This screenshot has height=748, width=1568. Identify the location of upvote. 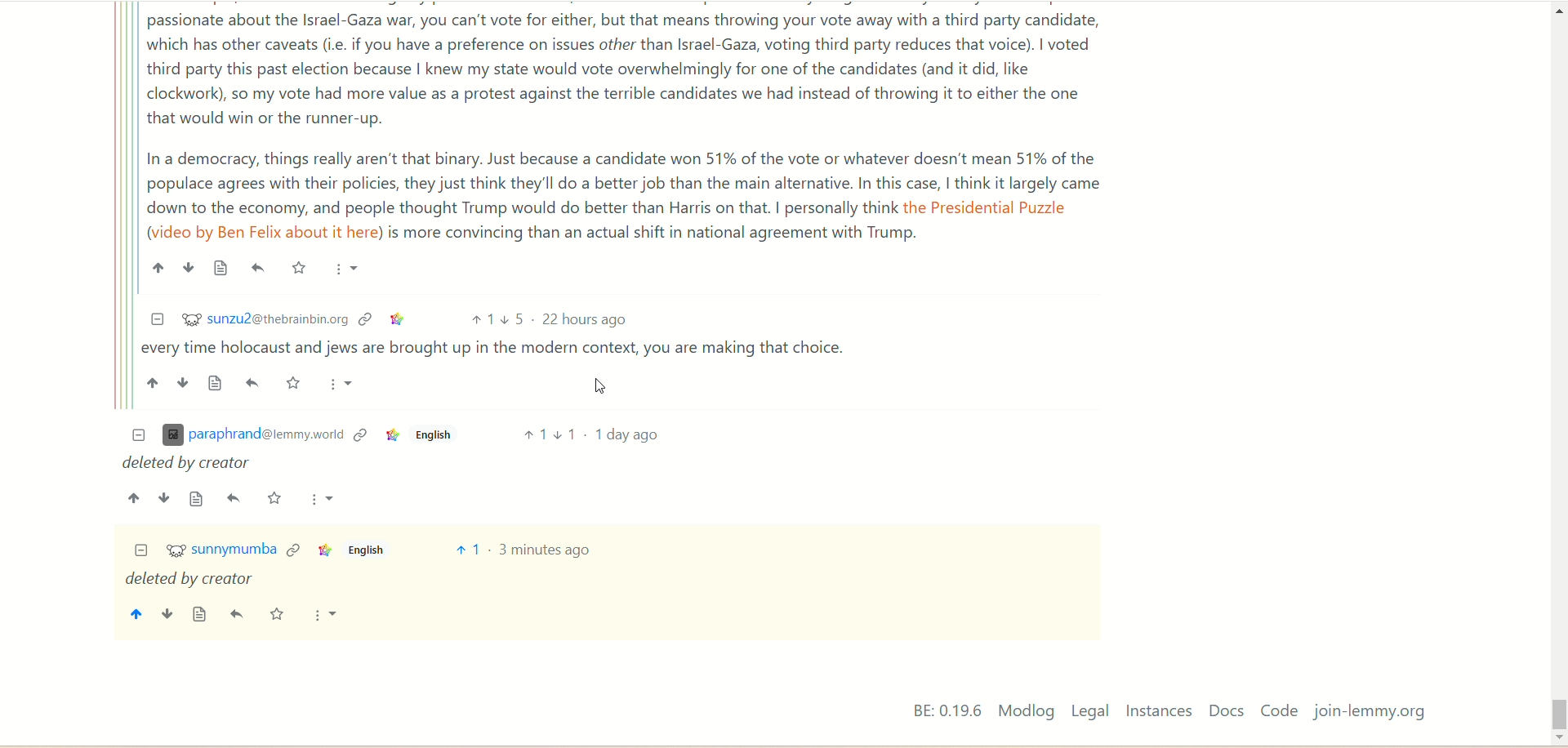
(135, 617).